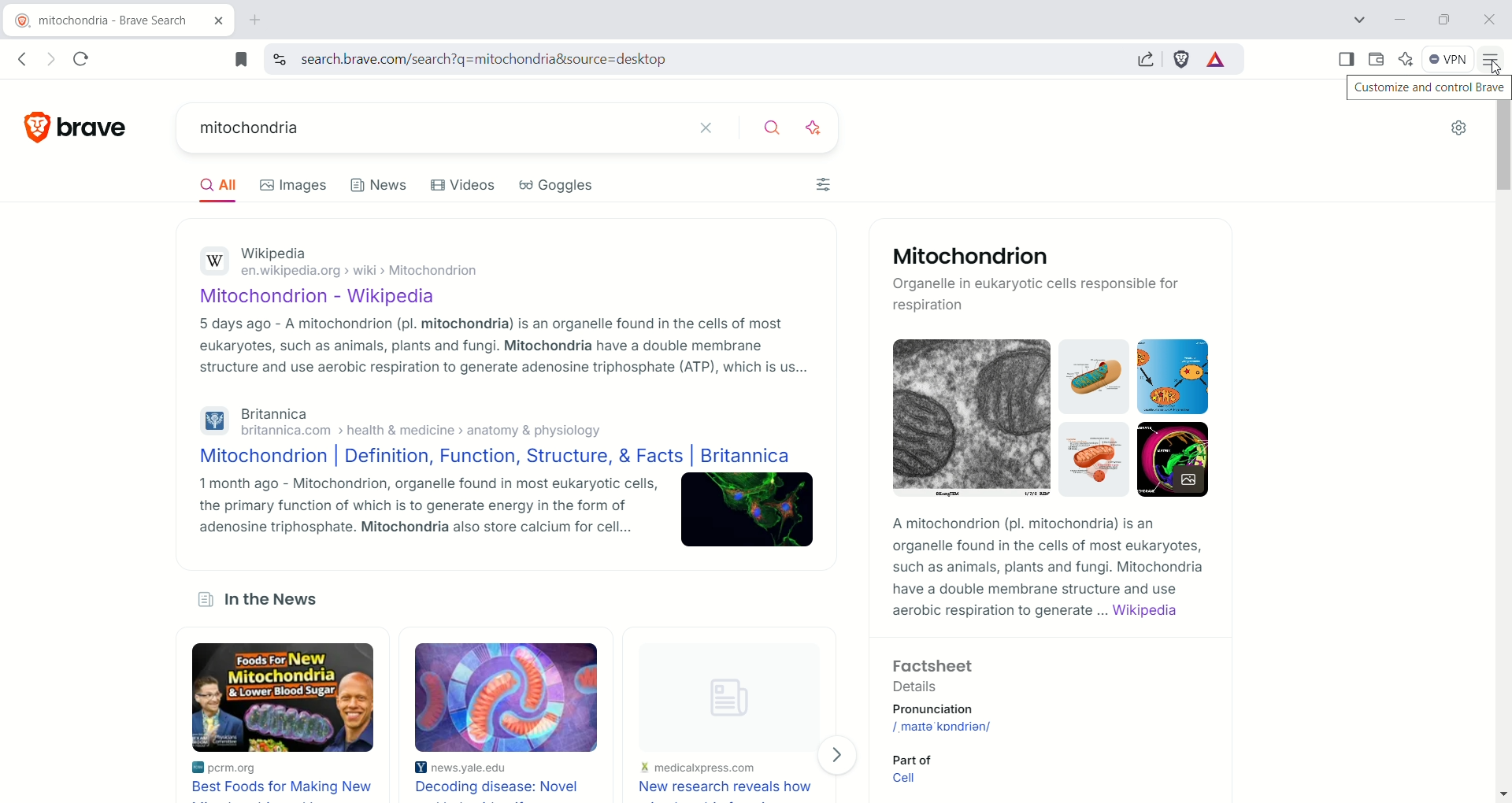 Image resolution: width=1512 pixels, height=803 pixels. Describe the element at coordinates (117, 20) in the screenshot. I see `mitochondria - brave search` at that location.